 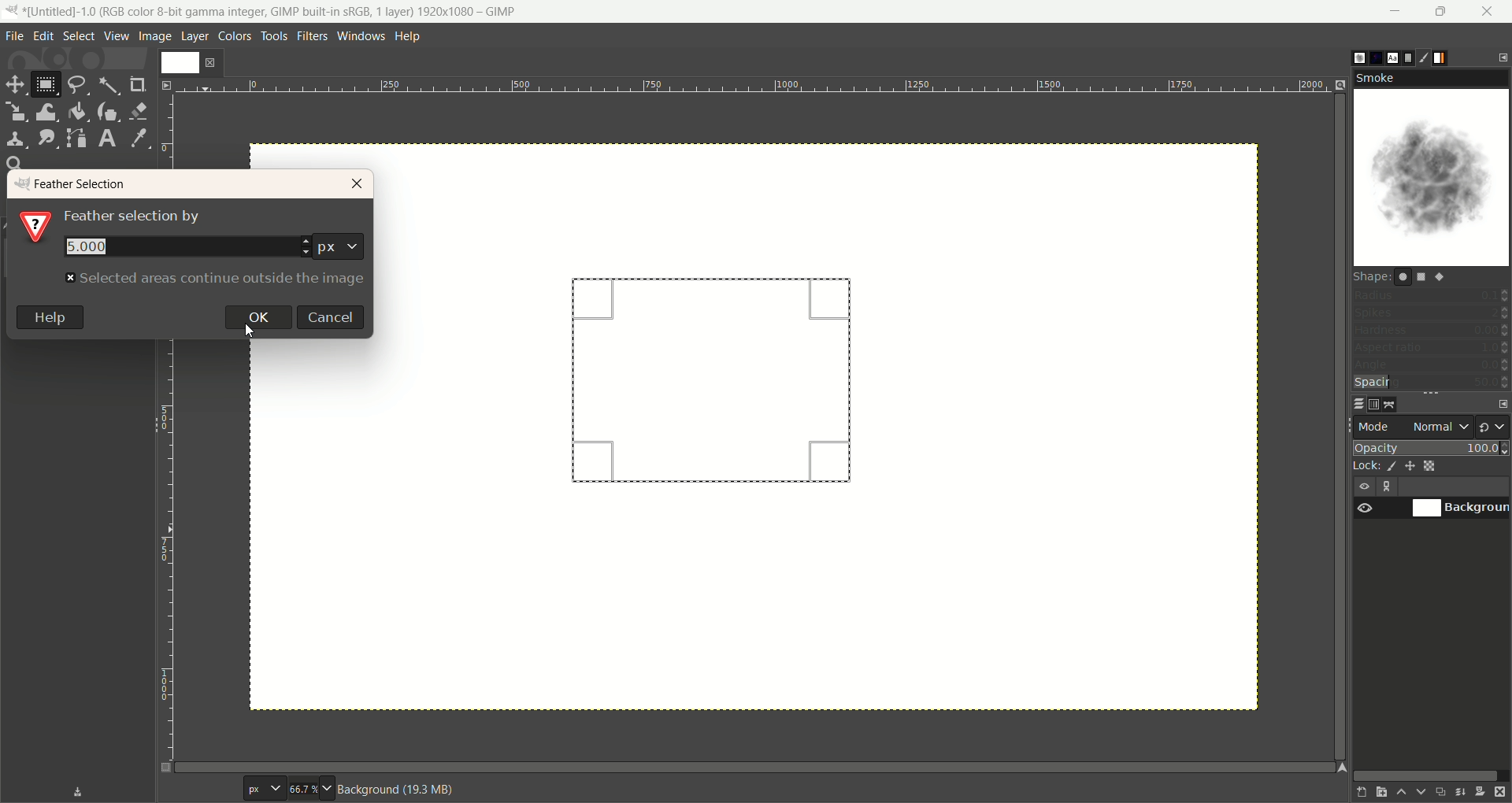 What do you see at coordinates (16, 167) in the screenshot?
I see `search` at bounding box center [16, 167].